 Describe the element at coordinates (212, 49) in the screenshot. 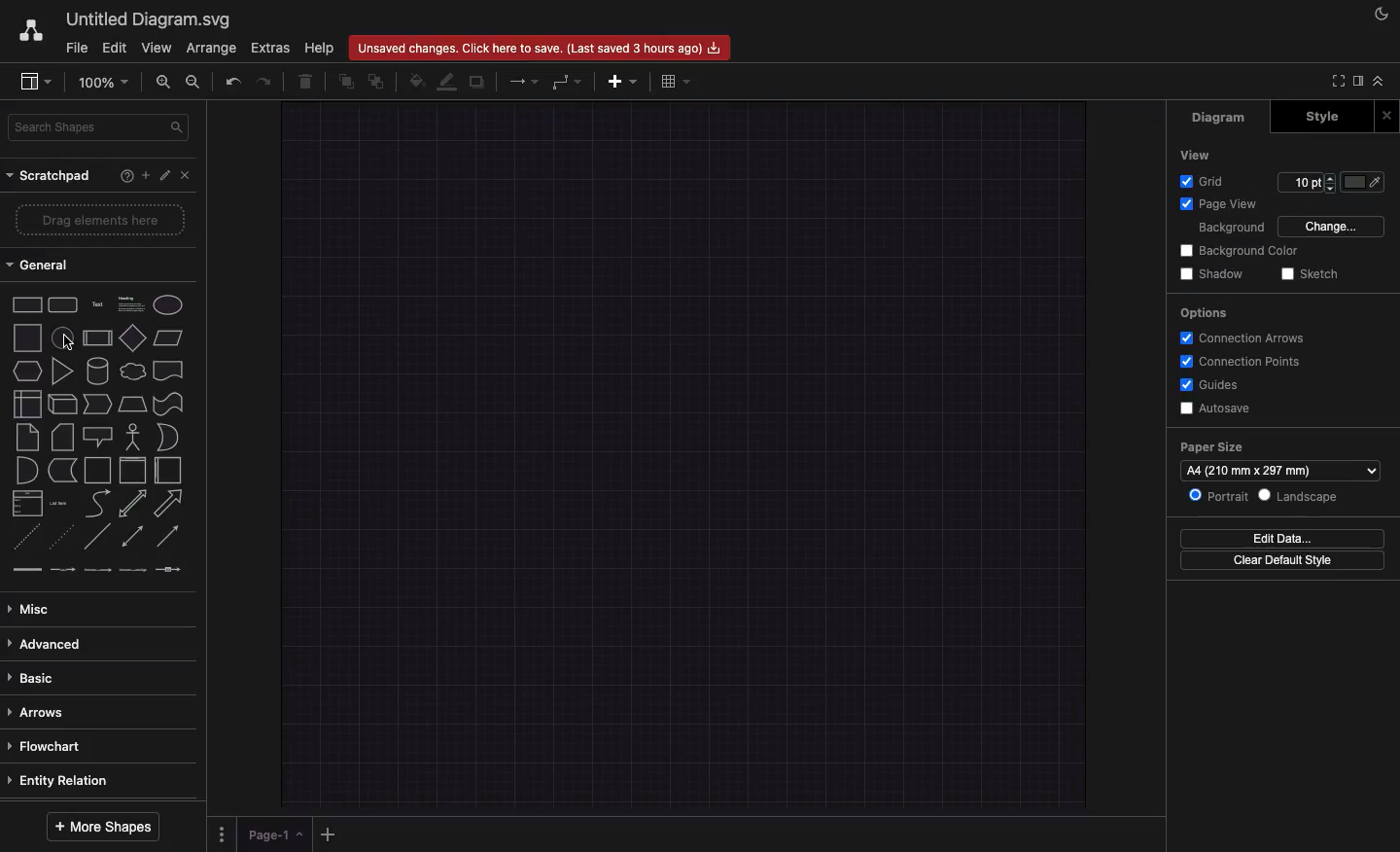

I see `Arrange` at that location.